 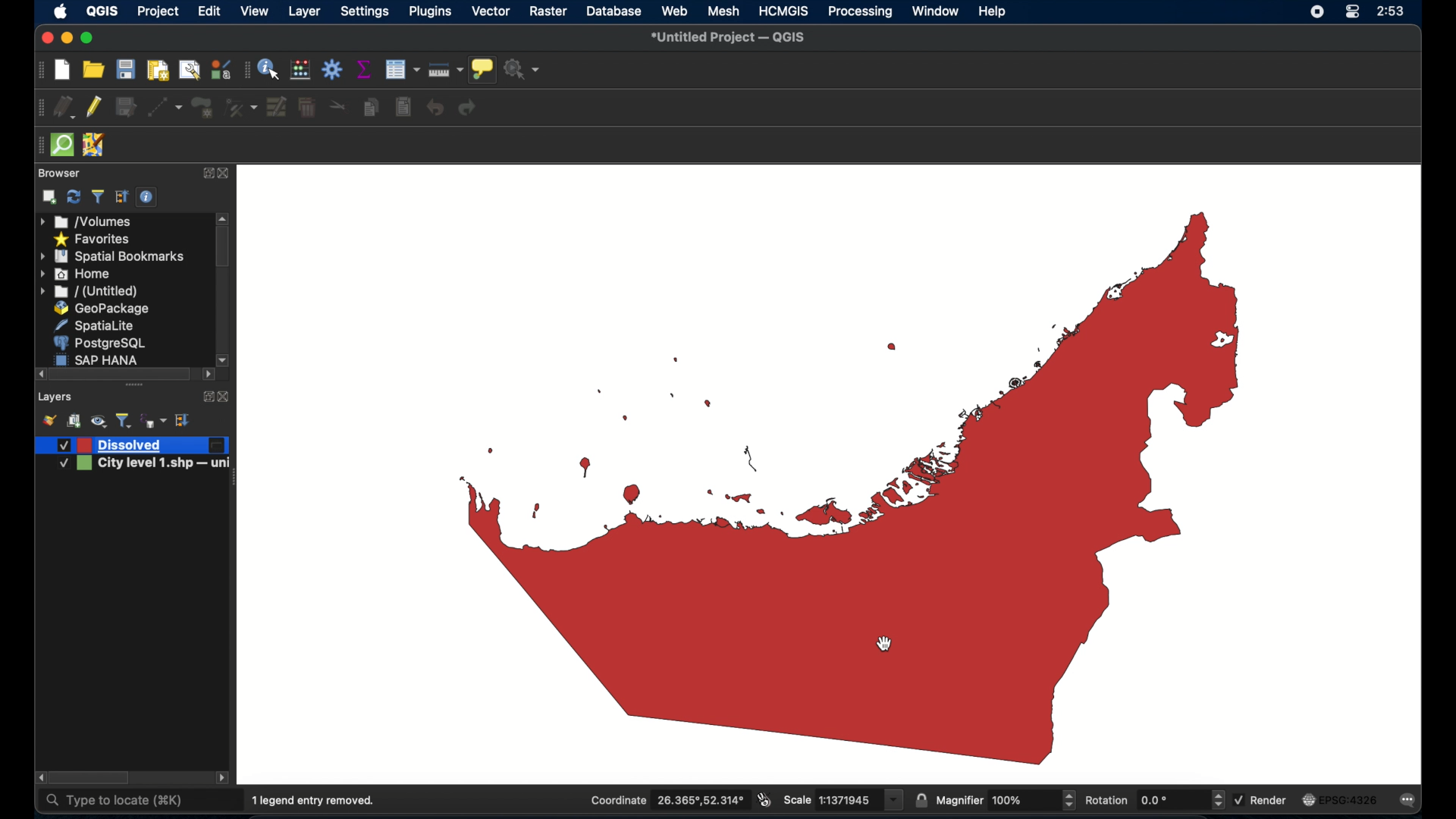 I want to click on scroll right arrow, so click(x=39, y=778).